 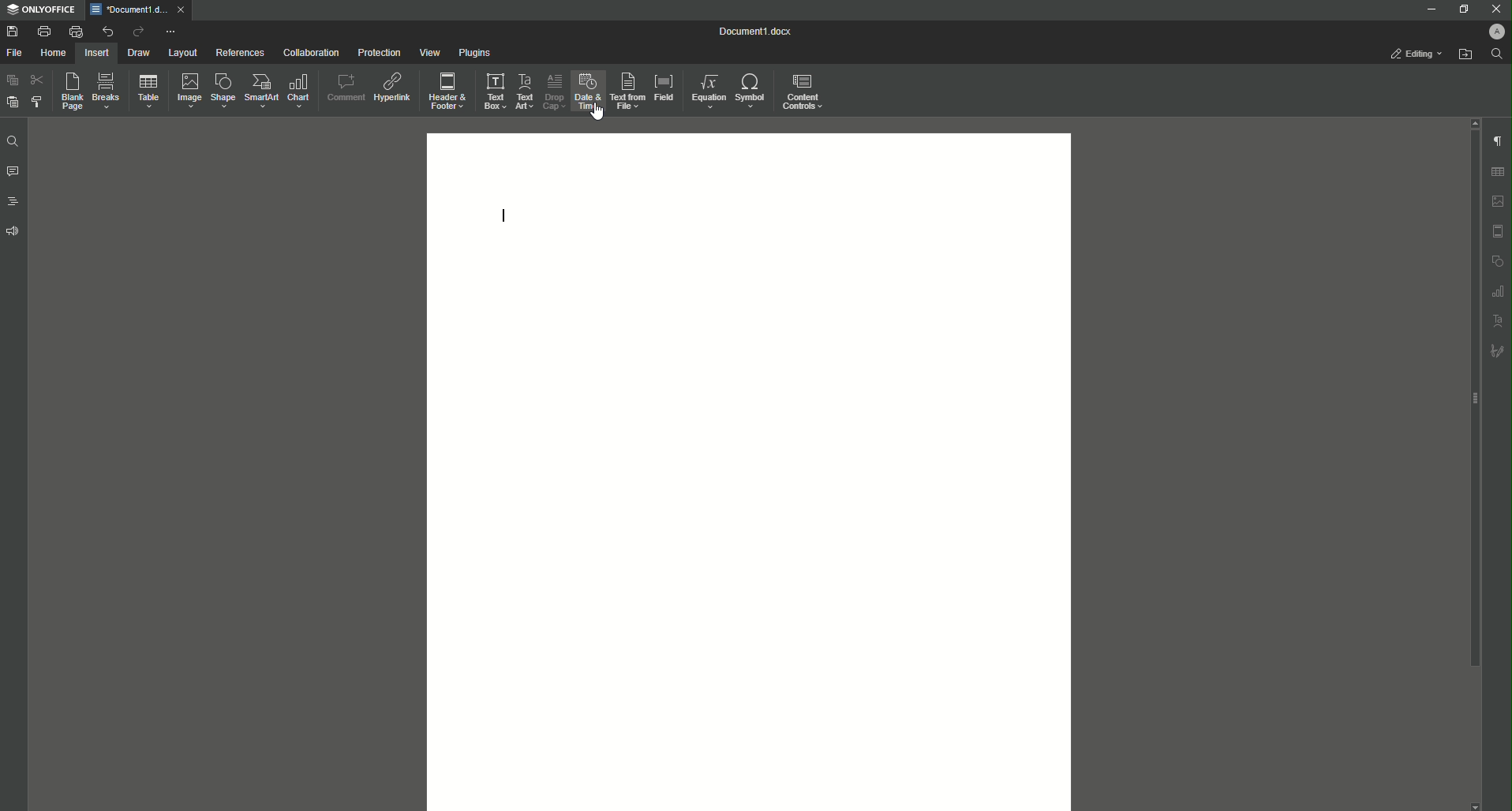 I want to click on Draw, so click(x=139, y=52).